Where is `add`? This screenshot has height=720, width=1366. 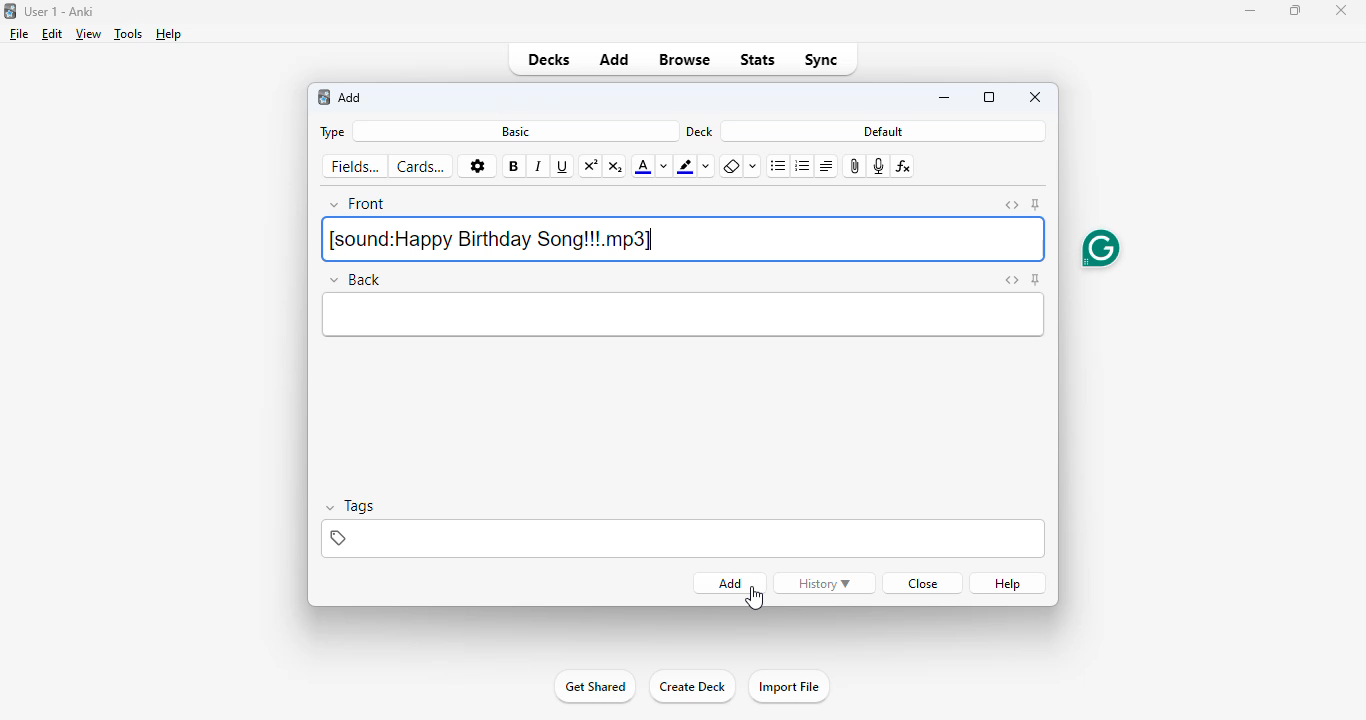
add is located at coordinates (324, 98).